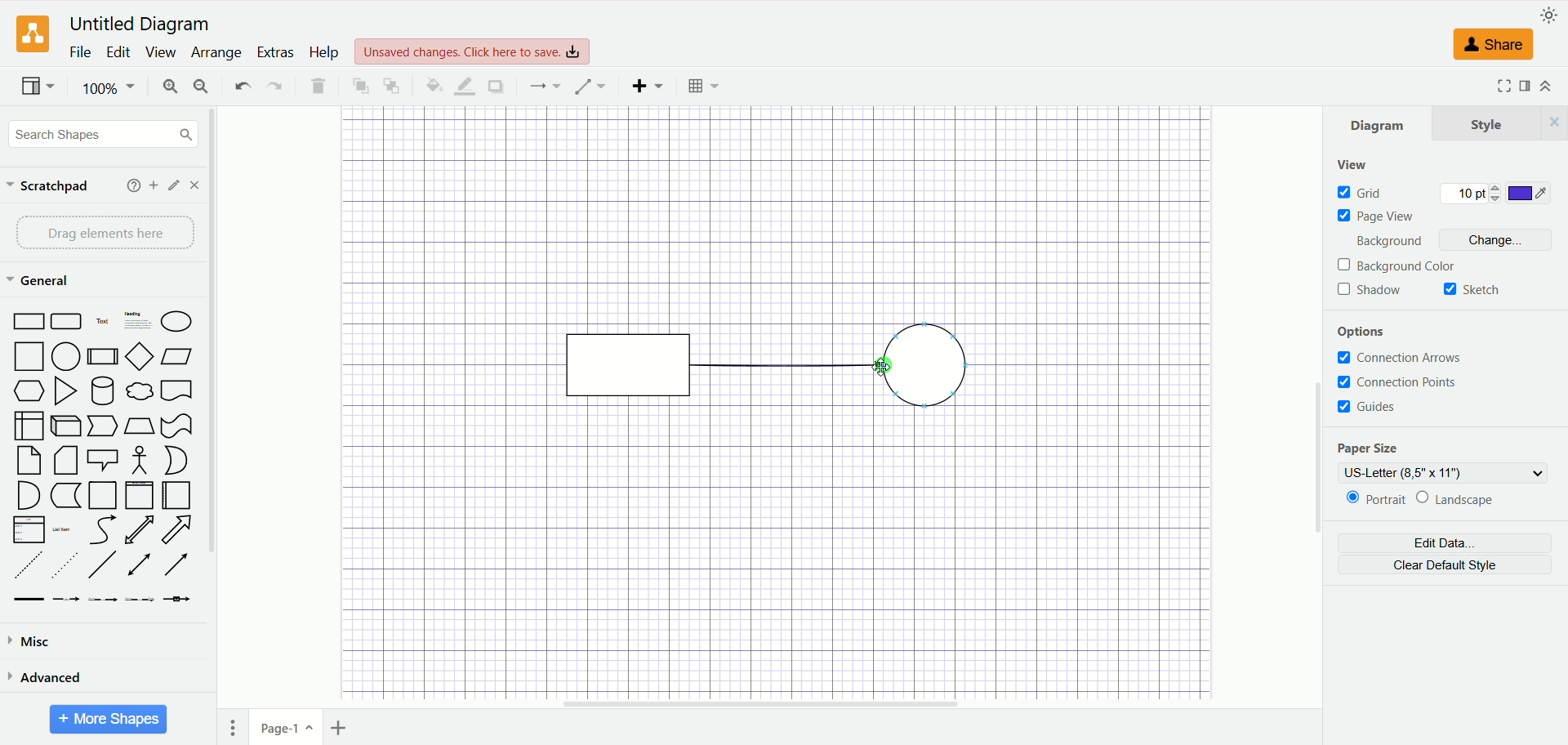  Describe the element at coordinates (1454, 498) in the screenshot. I see `landscape` at that location.